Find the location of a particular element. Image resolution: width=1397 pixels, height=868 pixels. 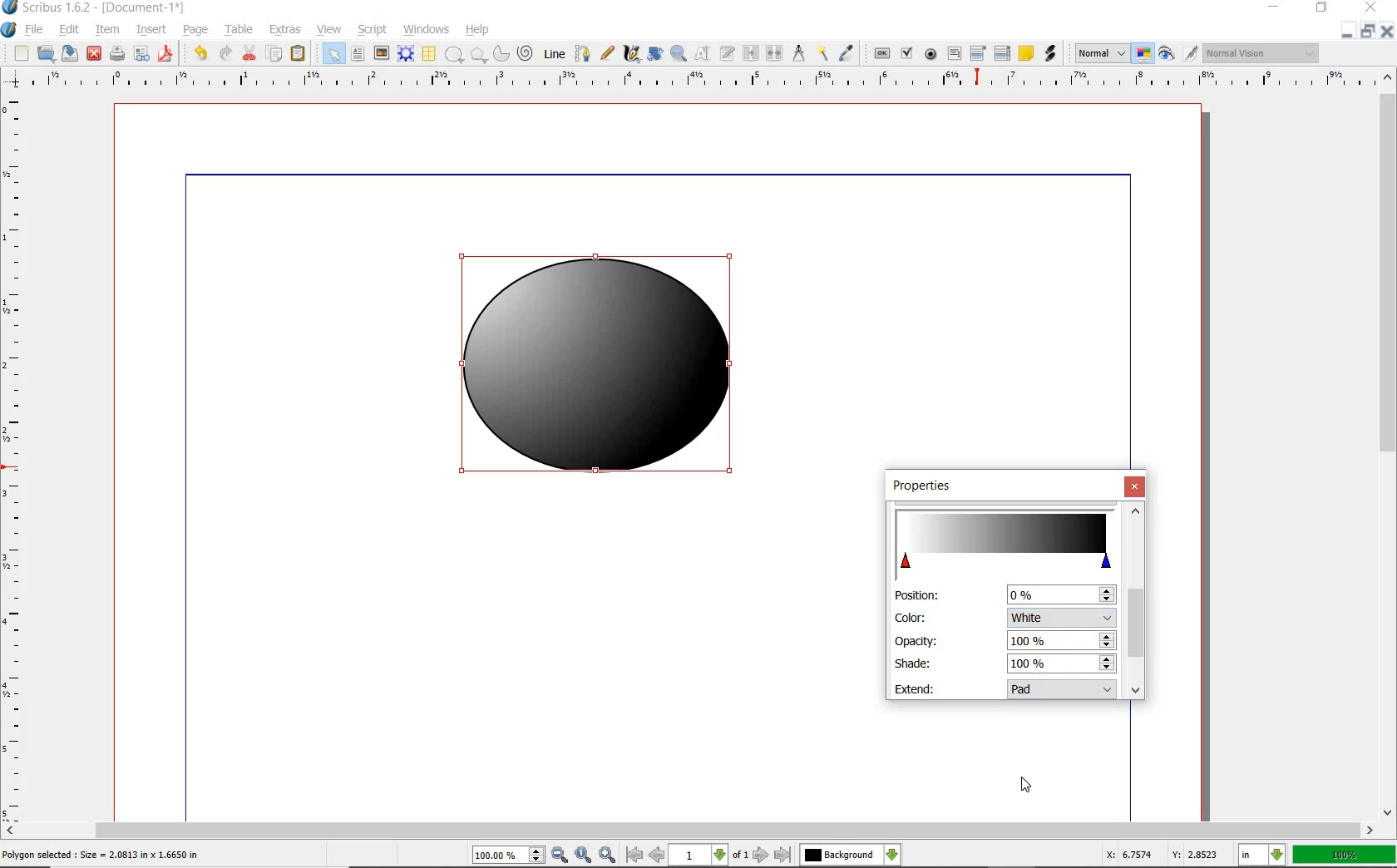

ITEM is located at coordinates (108, 28).